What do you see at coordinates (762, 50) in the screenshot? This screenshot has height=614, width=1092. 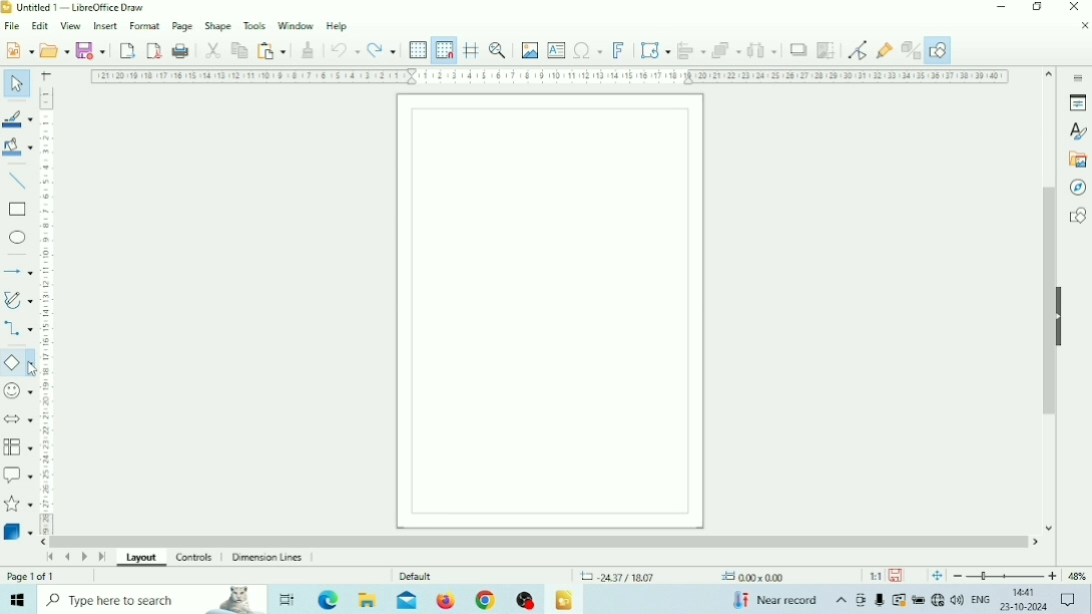 I see `Select at least three objects to distribute` at bounding box center [762, 50].